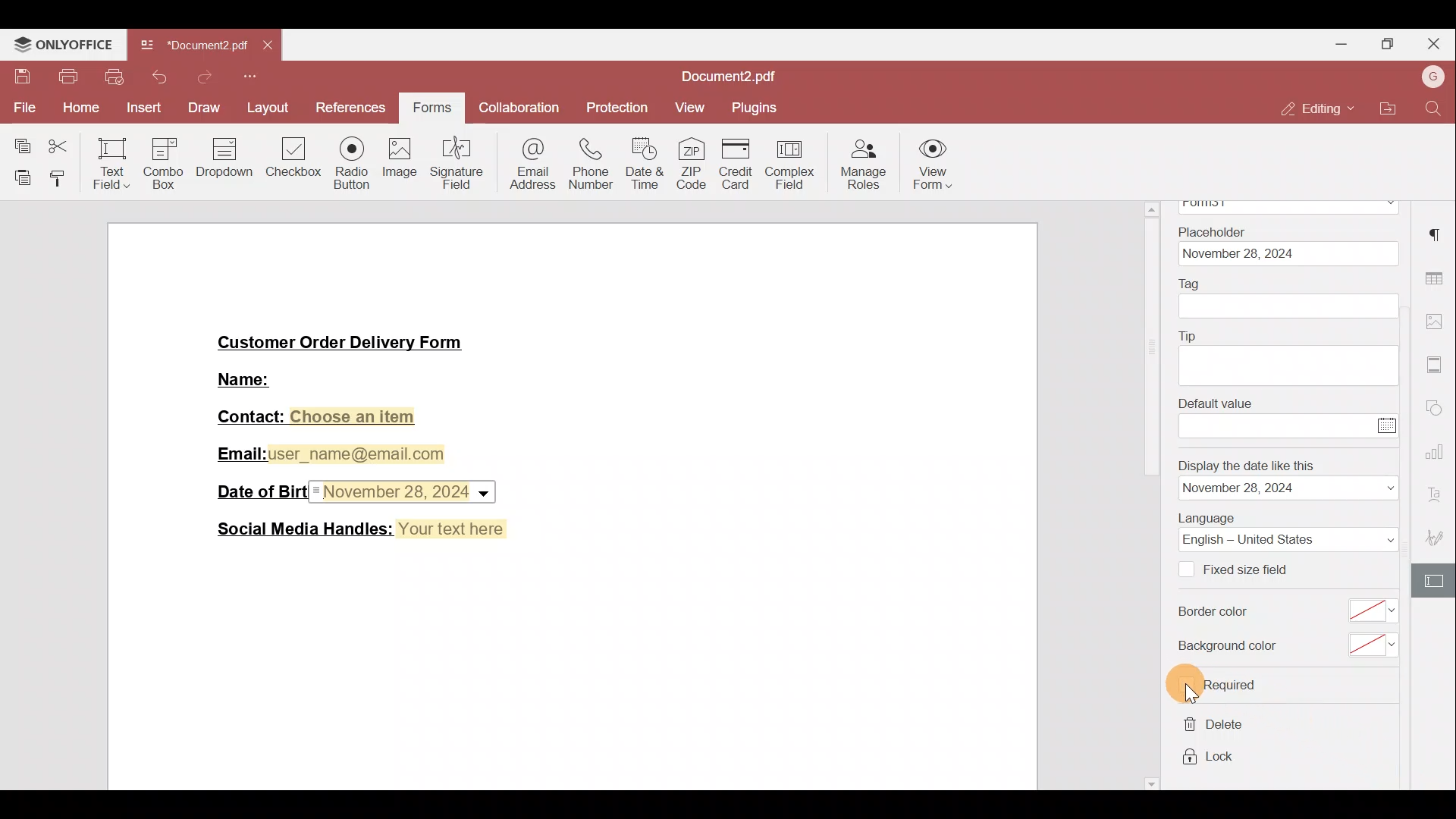 The width and height of the screenshot is (1456, 819). I want to click on Tip, so click(1191, 337).